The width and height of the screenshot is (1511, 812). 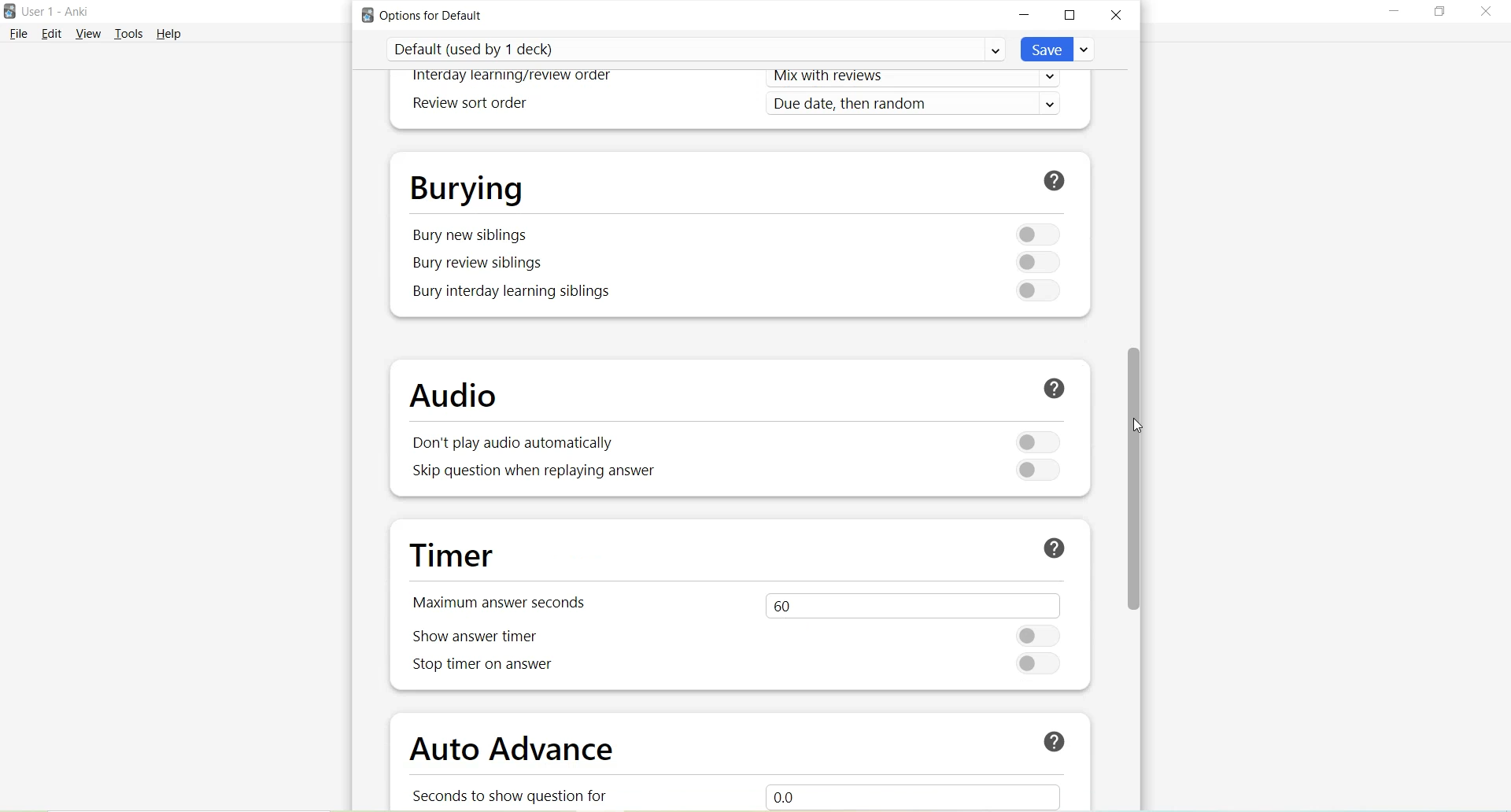 What do you see at coordinates (480, 264) in the screenshot?
I see `Bury review siblings` at bounding box center [480, 264].